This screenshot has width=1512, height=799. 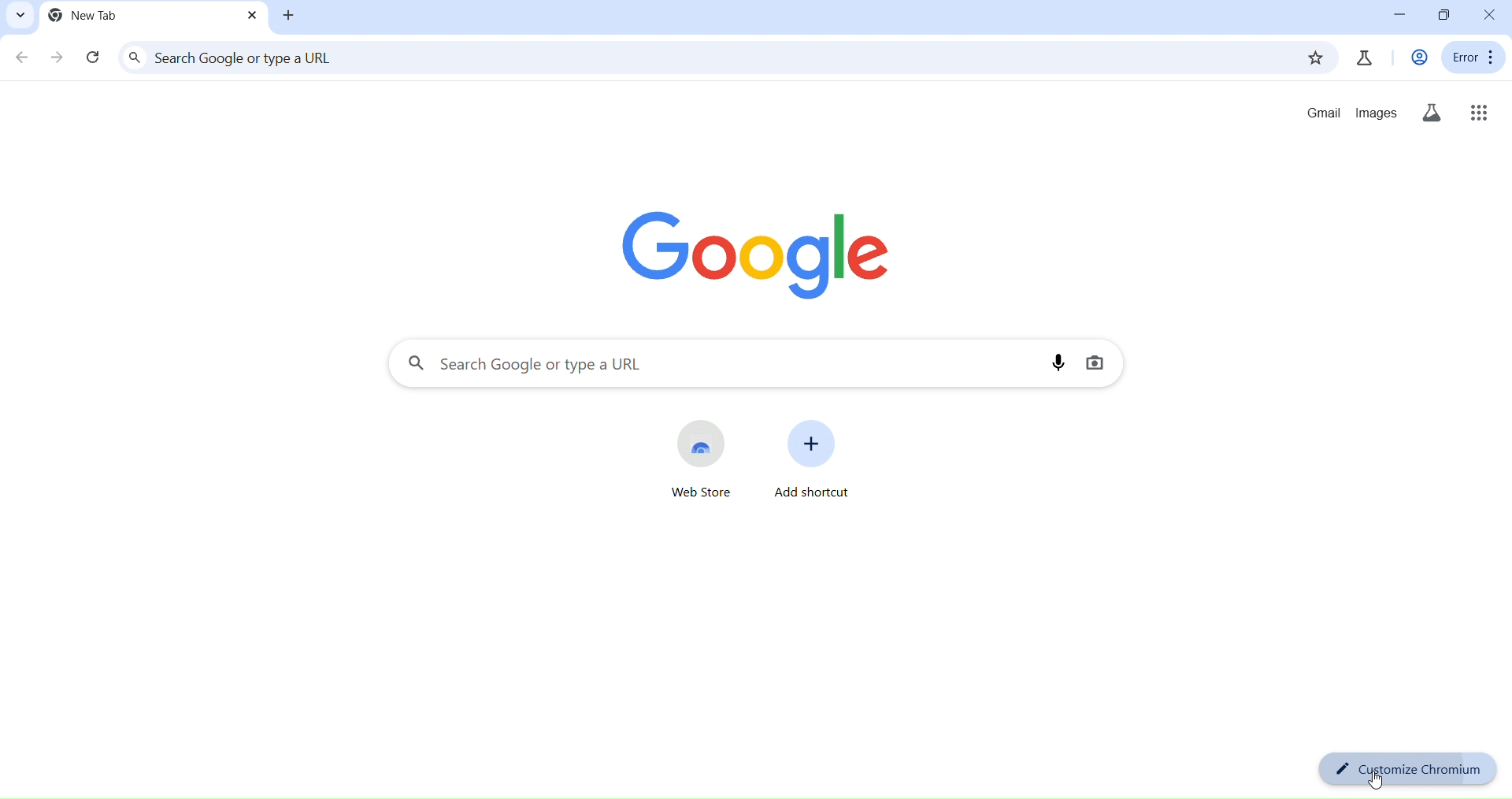 What do you see at coordinates (707, 58) in the screenshot?
I see `search panel` at bounding box center [707, 58].